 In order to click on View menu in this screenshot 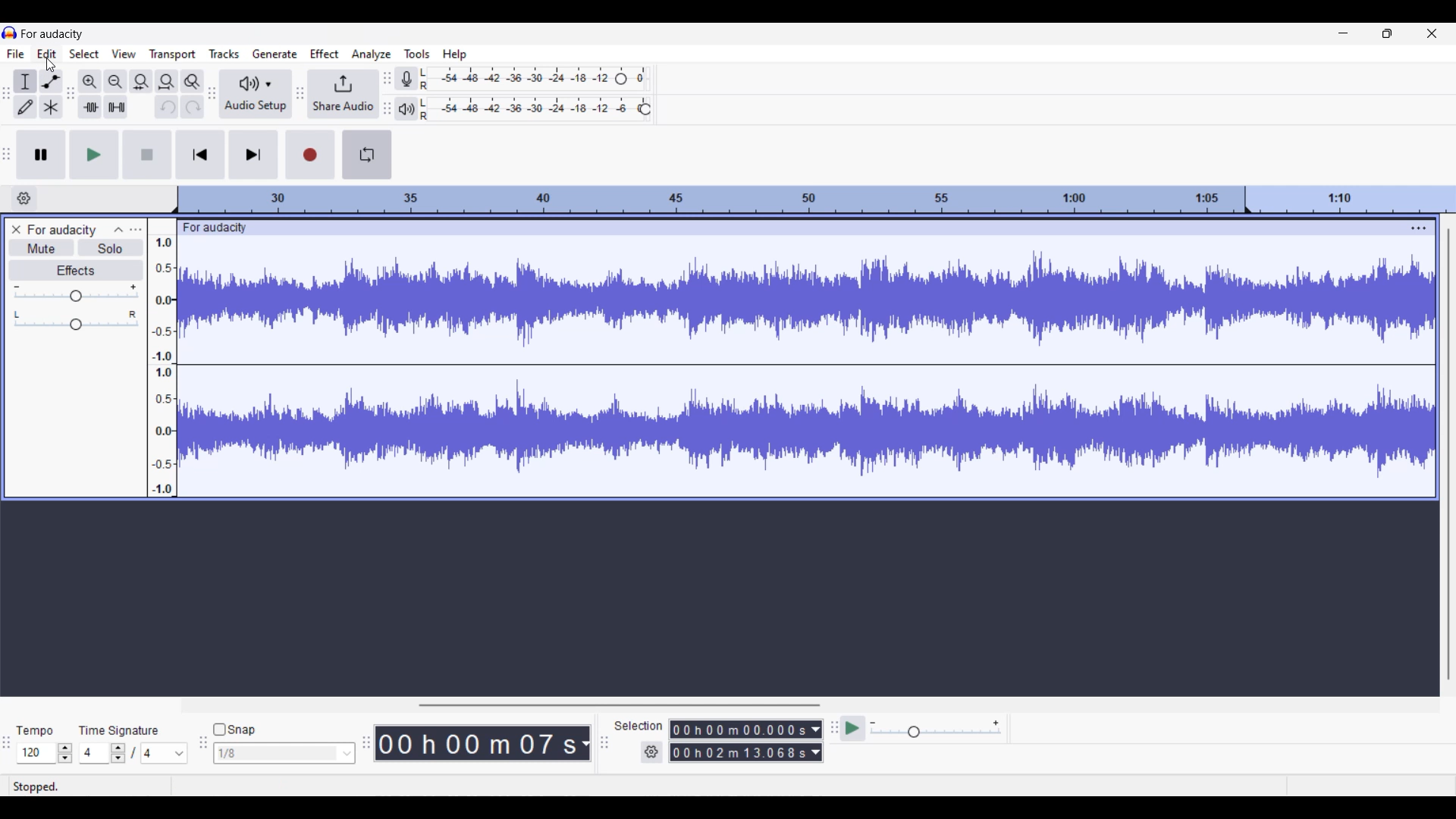, I will do `click(124, 53)`.